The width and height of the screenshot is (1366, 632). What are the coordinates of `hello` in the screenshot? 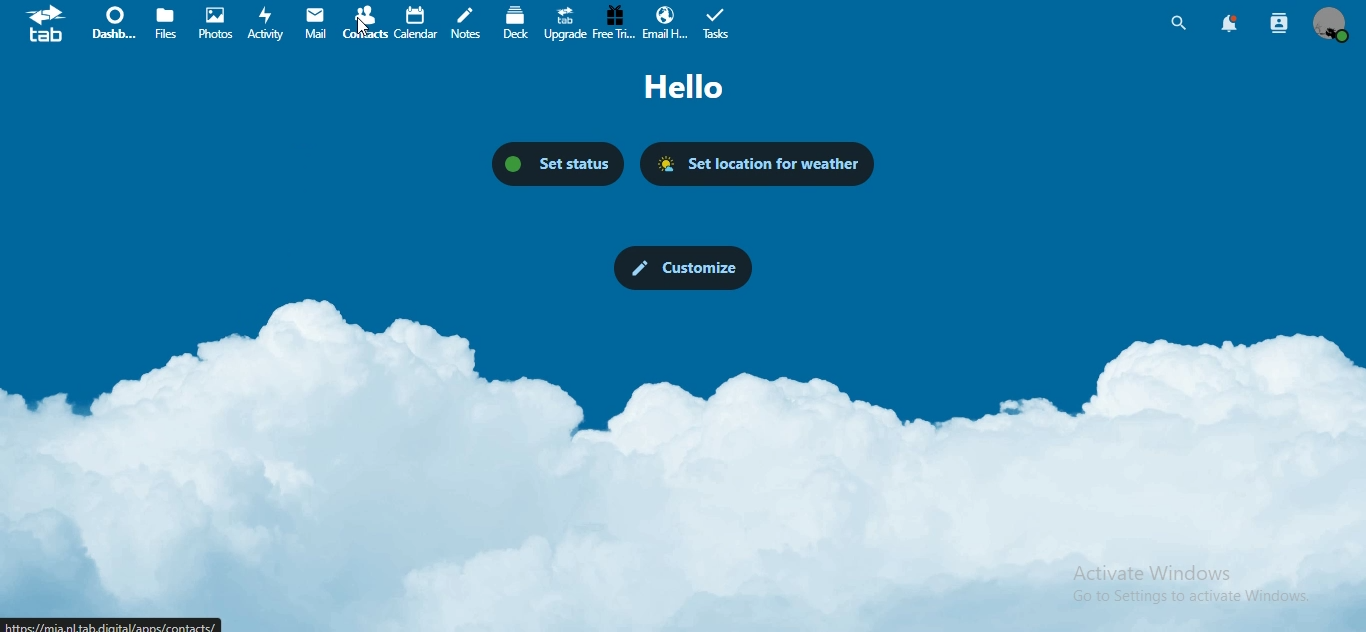 It's located at (695, 88).